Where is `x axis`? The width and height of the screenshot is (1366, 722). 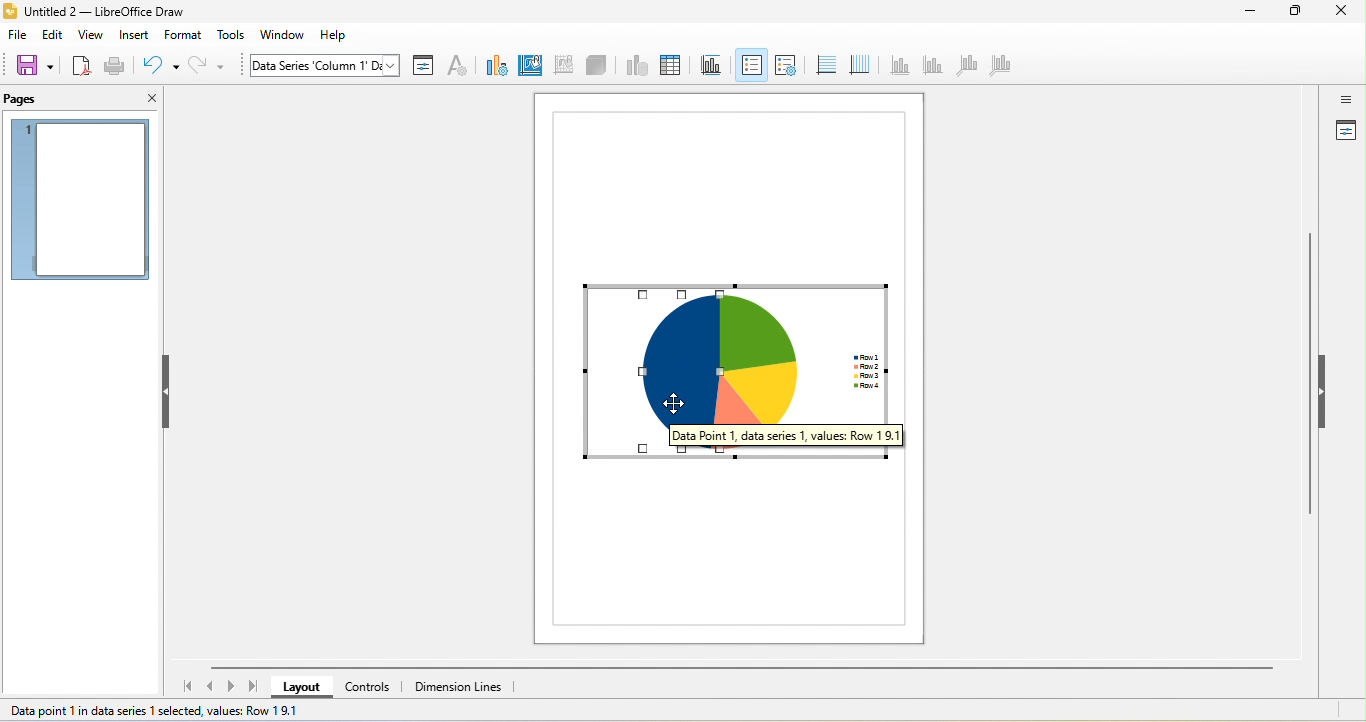
x axis is located at coordinates (899, 64).